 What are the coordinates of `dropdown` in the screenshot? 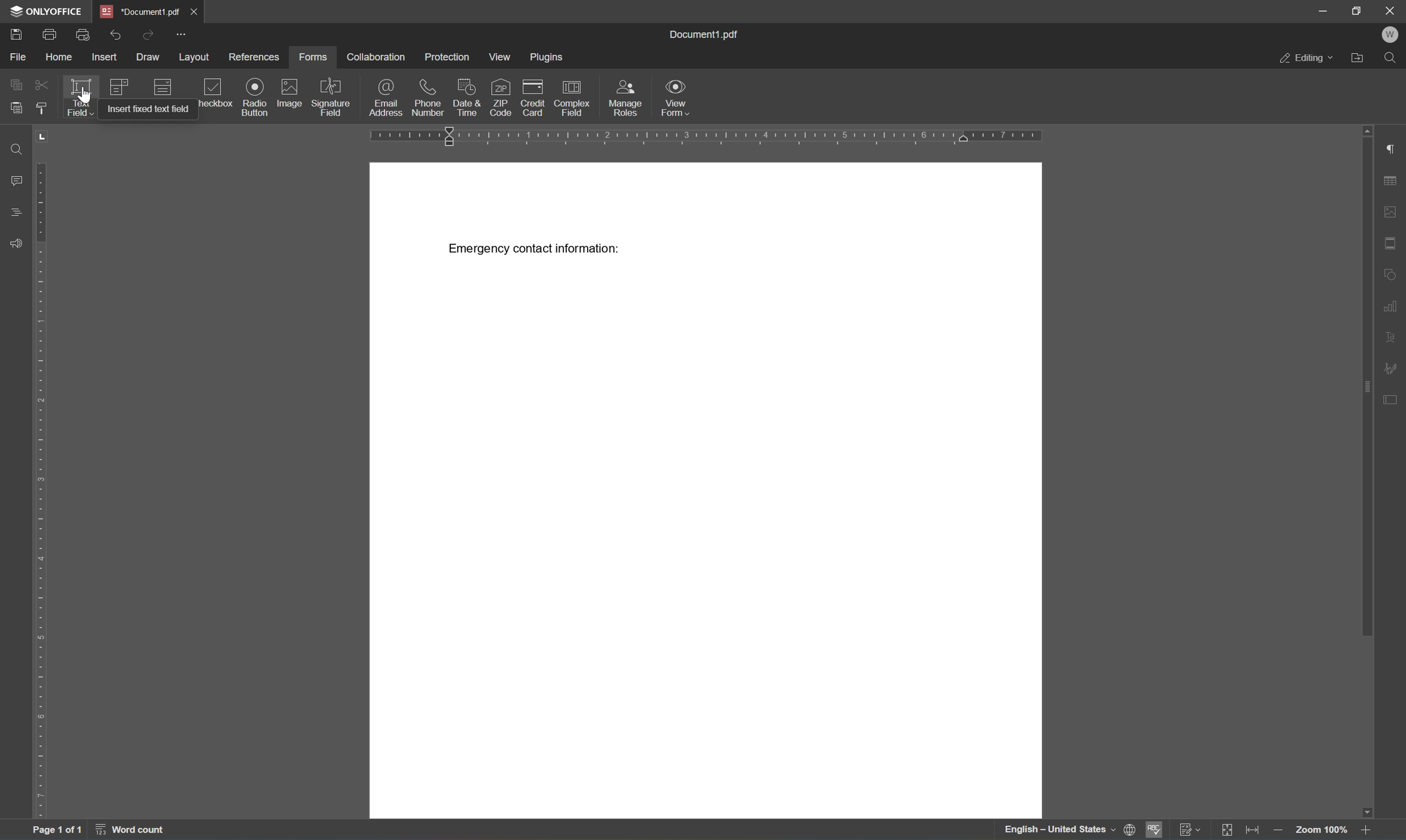 It's located at (161, 85).